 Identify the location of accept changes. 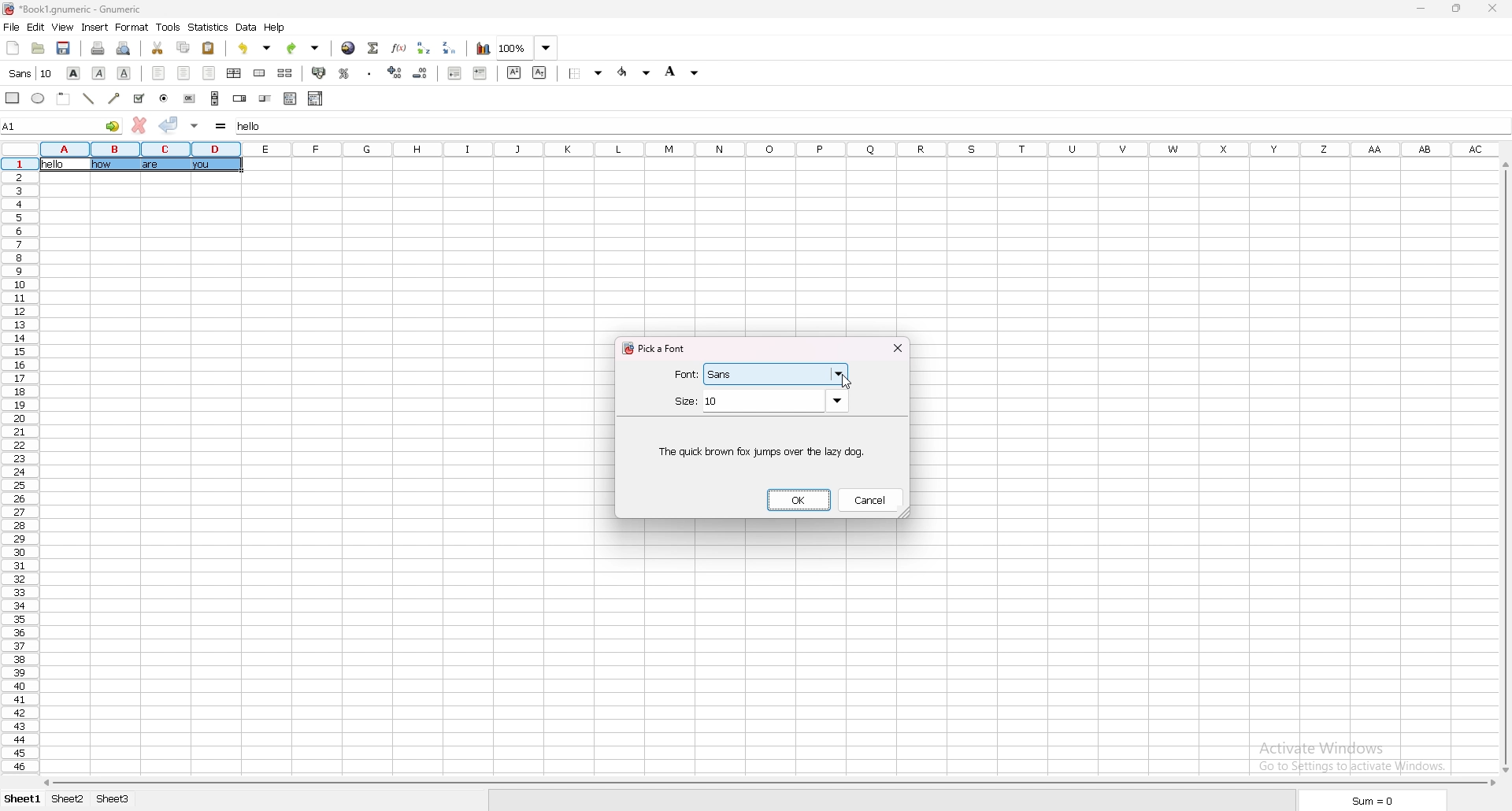
(169, 124).